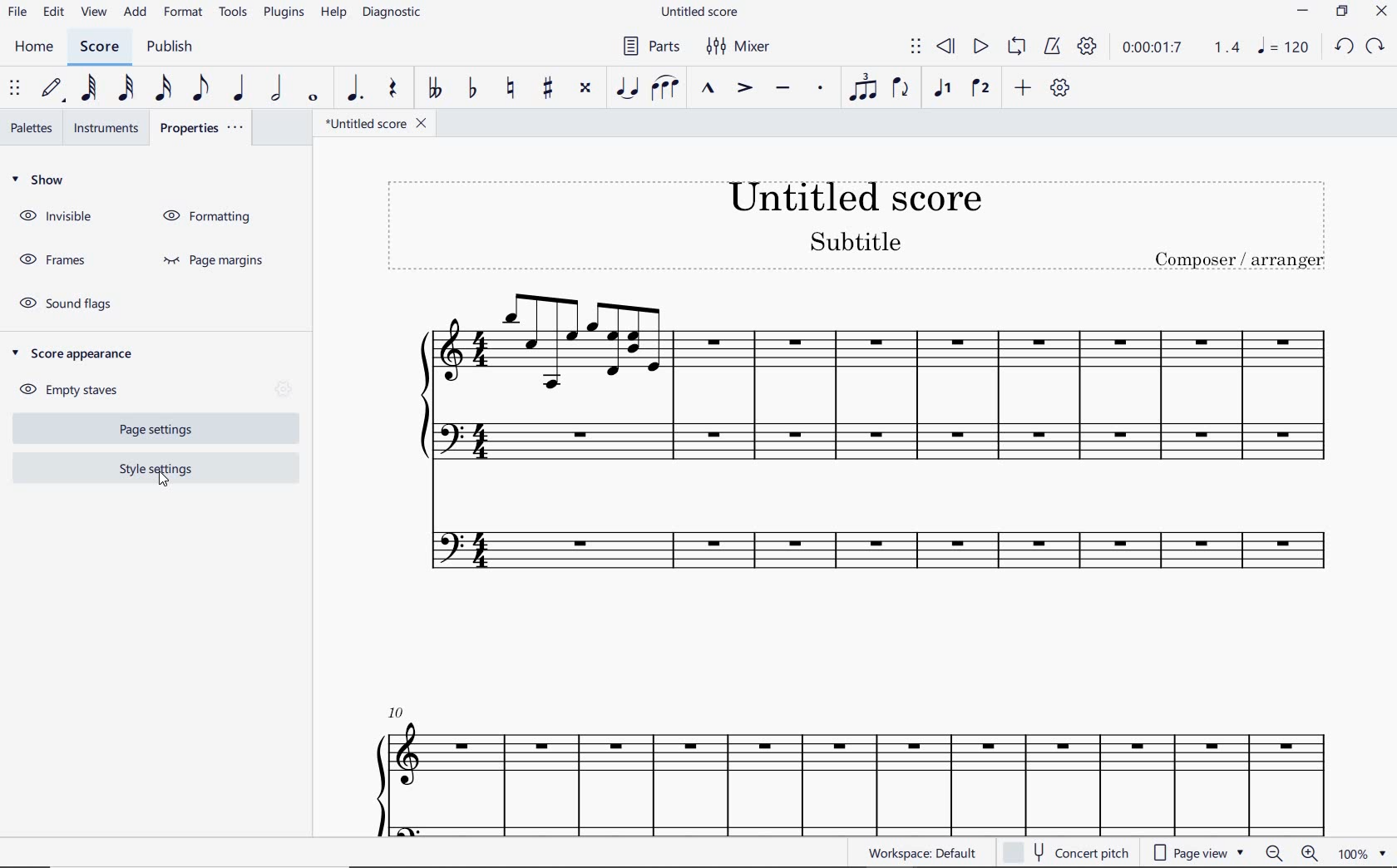  Describe the element at coordinates (18, 87) in the screenshot. I see `SELECT TO MOVE` at that location.